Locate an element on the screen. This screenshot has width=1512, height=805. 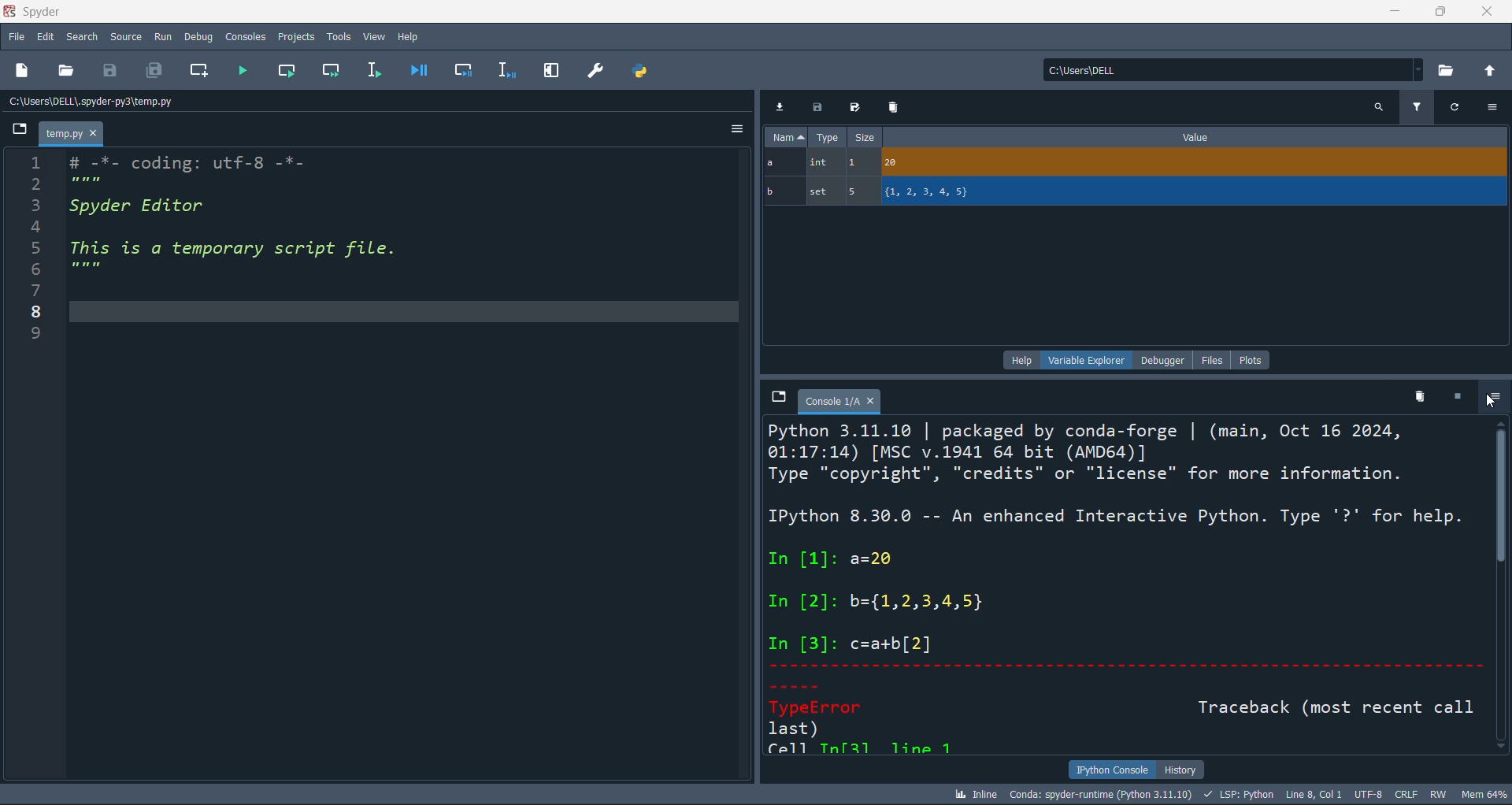
debuf is located at coordinates (198, 35).